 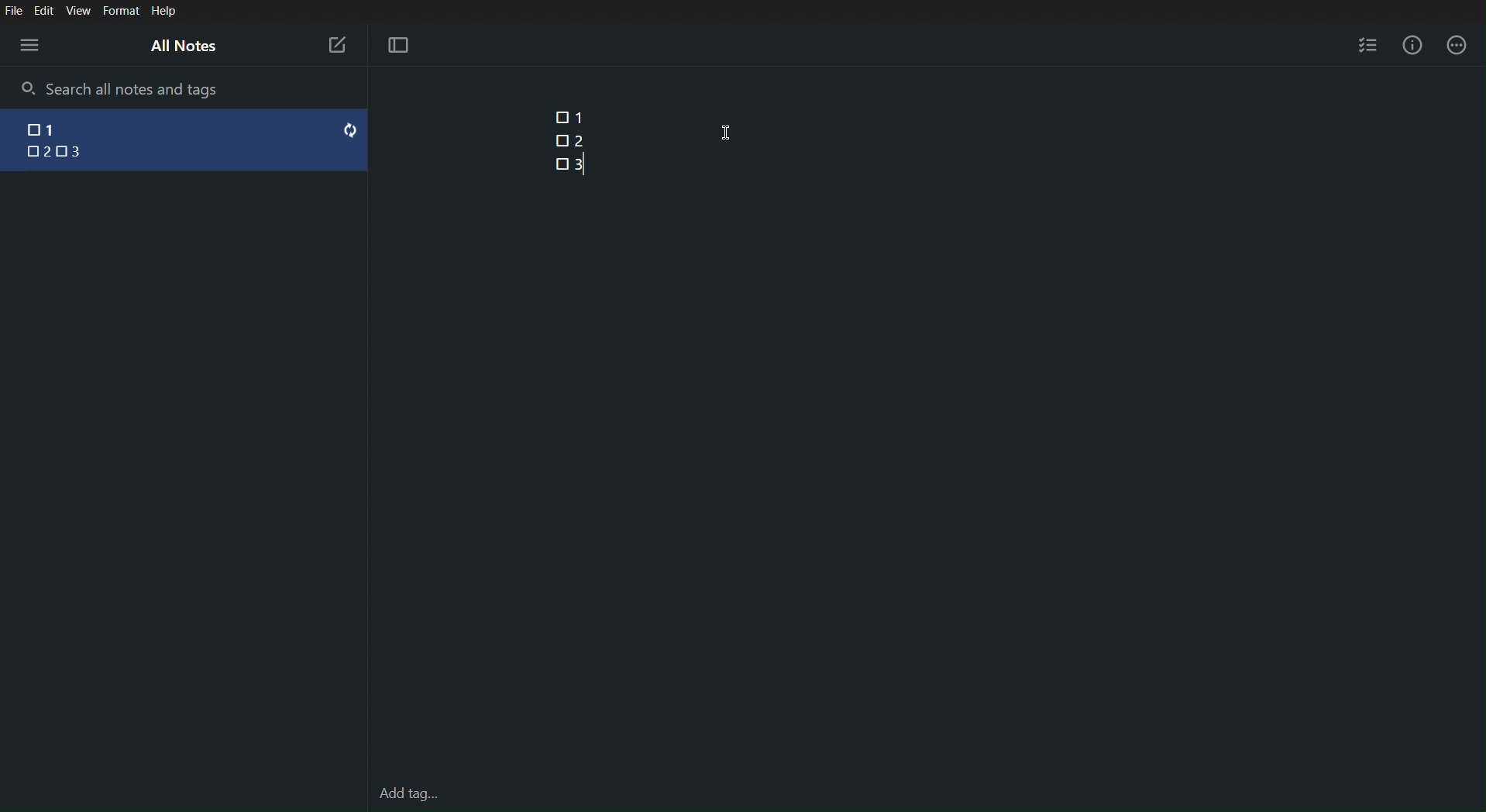 What do you see at coordinates (164, 12) in the screenshot?
I see `Help` at bounding box center [164, 12].